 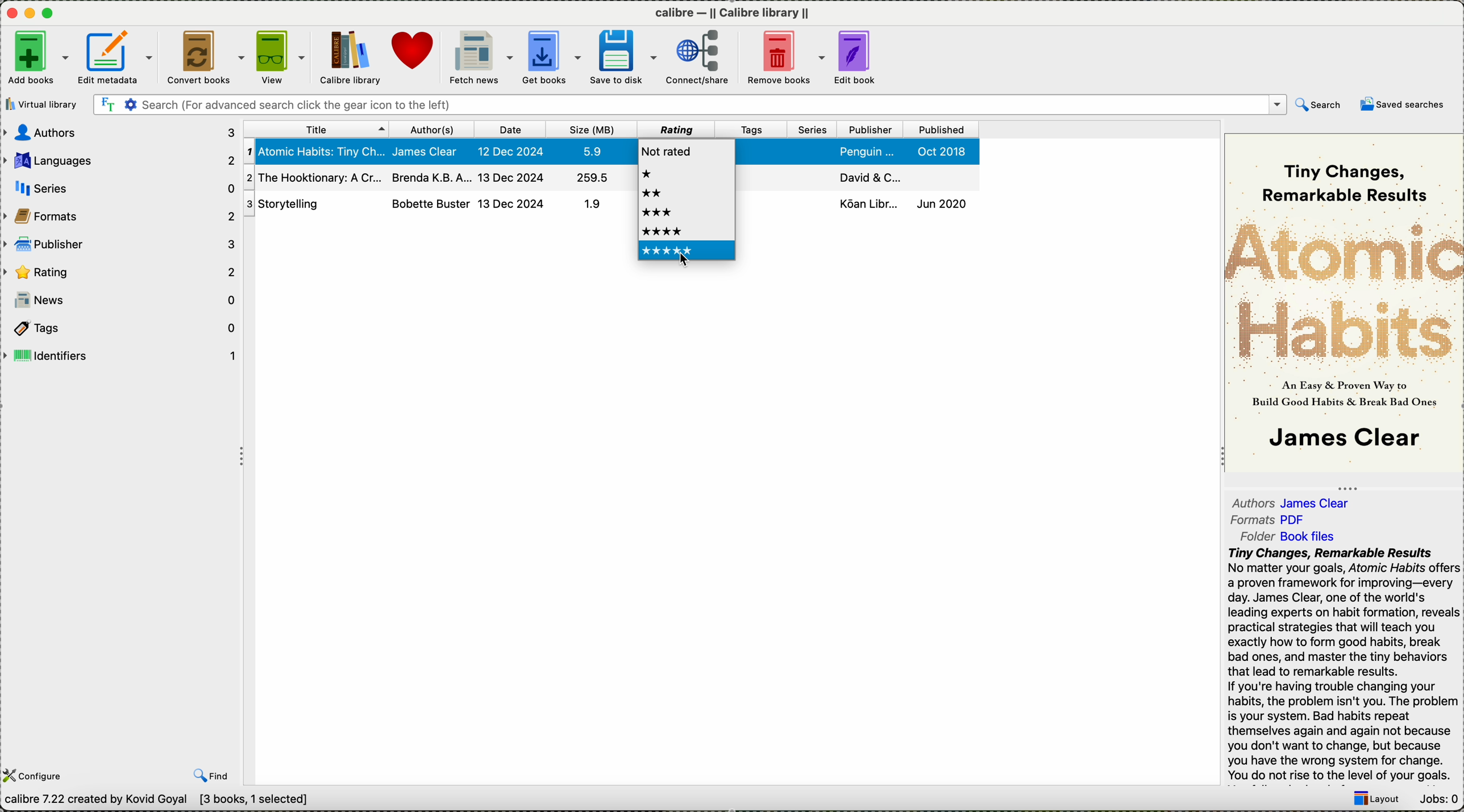 What do you see at coordinates (1308, 538) in the screenshot?
I see `Book file` at bounding box center [1308, 538].